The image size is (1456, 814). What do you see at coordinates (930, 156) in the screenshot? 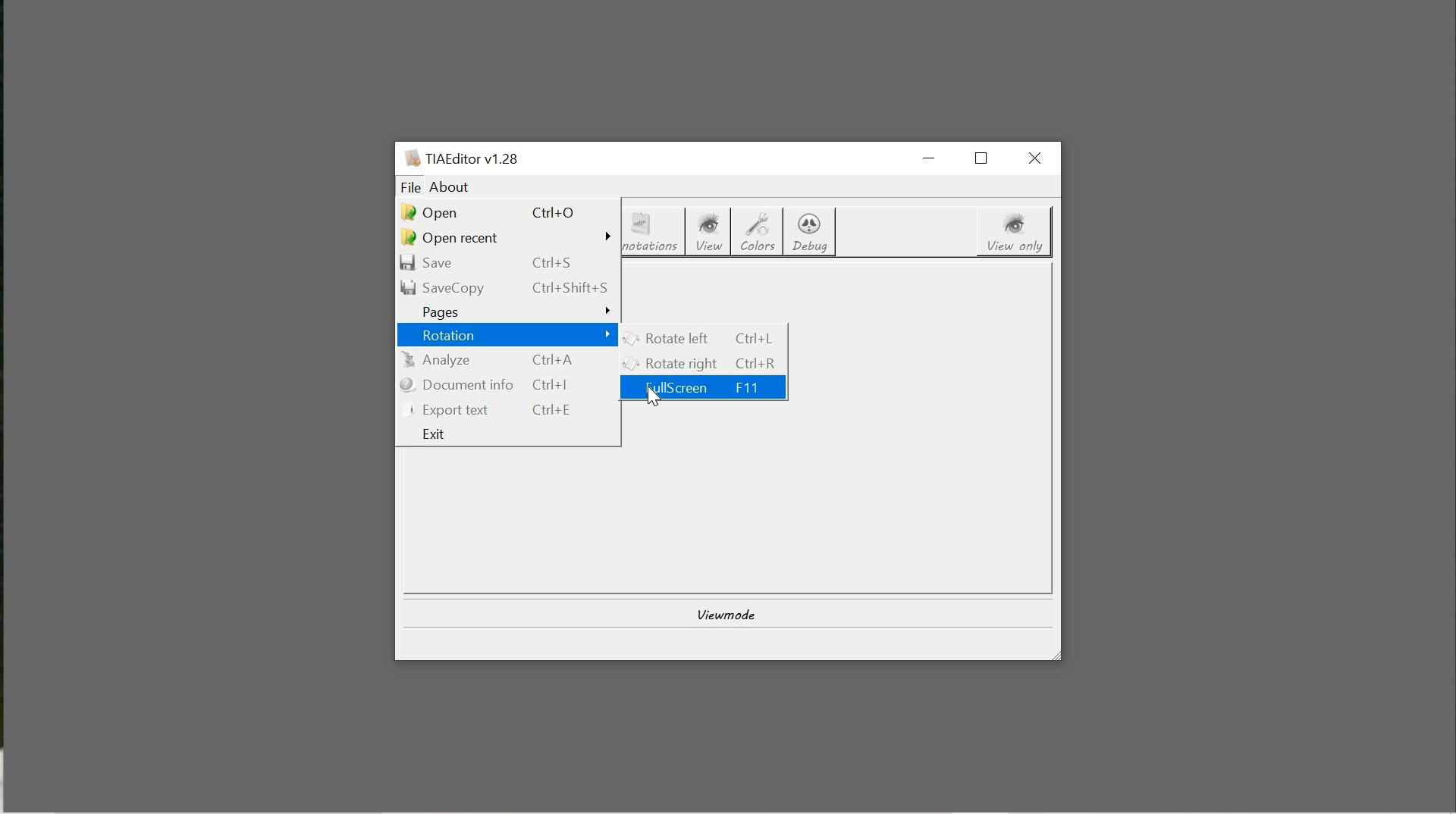
I see `` at bounding box center [930, 156].